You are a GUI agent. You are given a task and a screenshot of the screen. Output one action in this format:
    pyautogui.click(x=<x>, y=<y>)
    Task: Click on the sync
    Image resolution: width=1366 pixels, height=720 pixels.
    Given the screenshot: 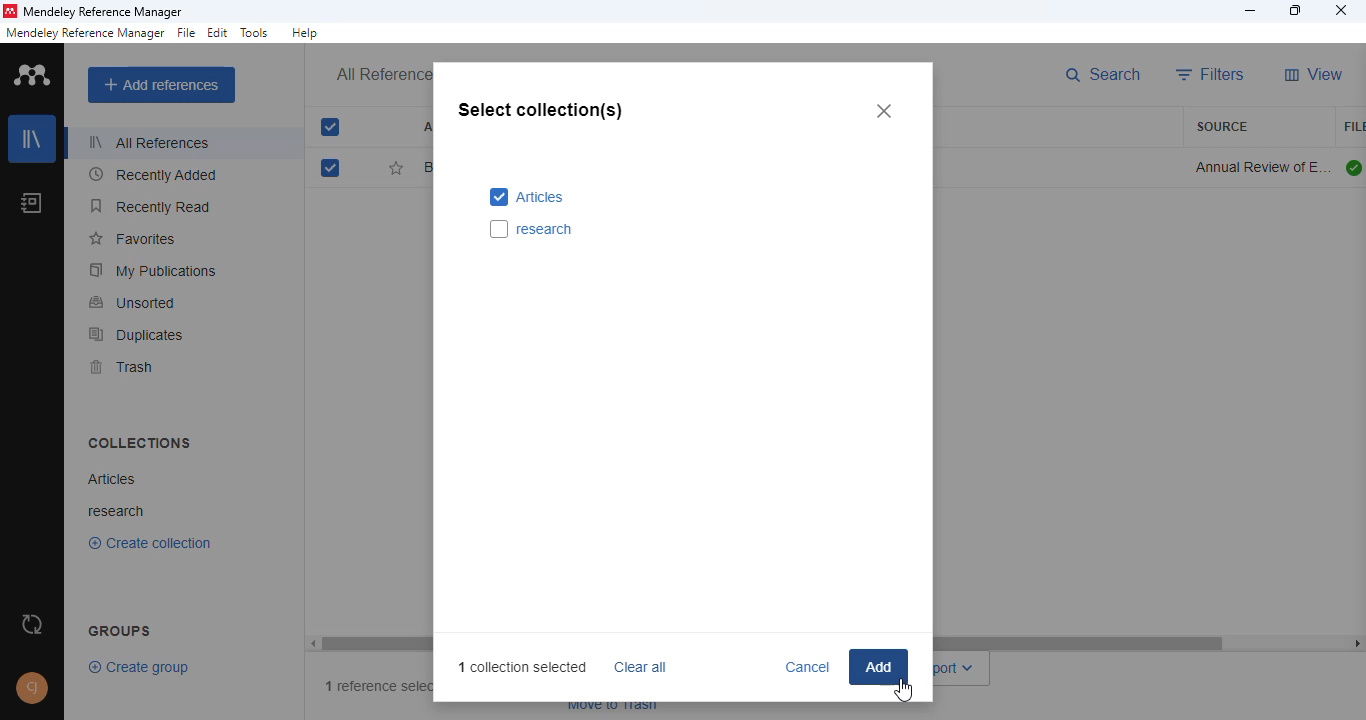 What is the action you would take?
    pyautogui.click(x=30, y=627)
    